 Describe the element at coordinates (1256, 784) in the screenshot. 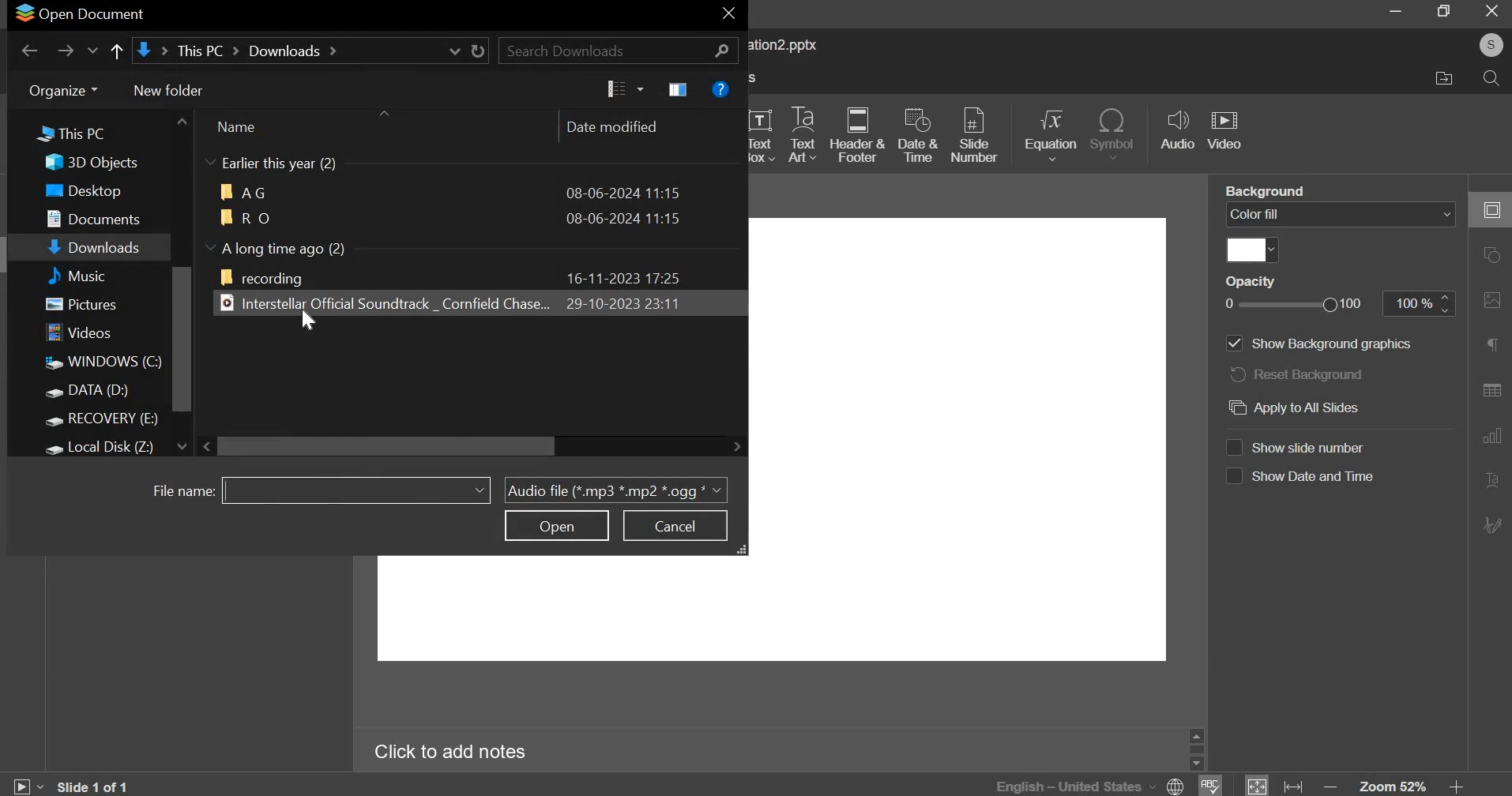

I see `fit to slide` at that location.